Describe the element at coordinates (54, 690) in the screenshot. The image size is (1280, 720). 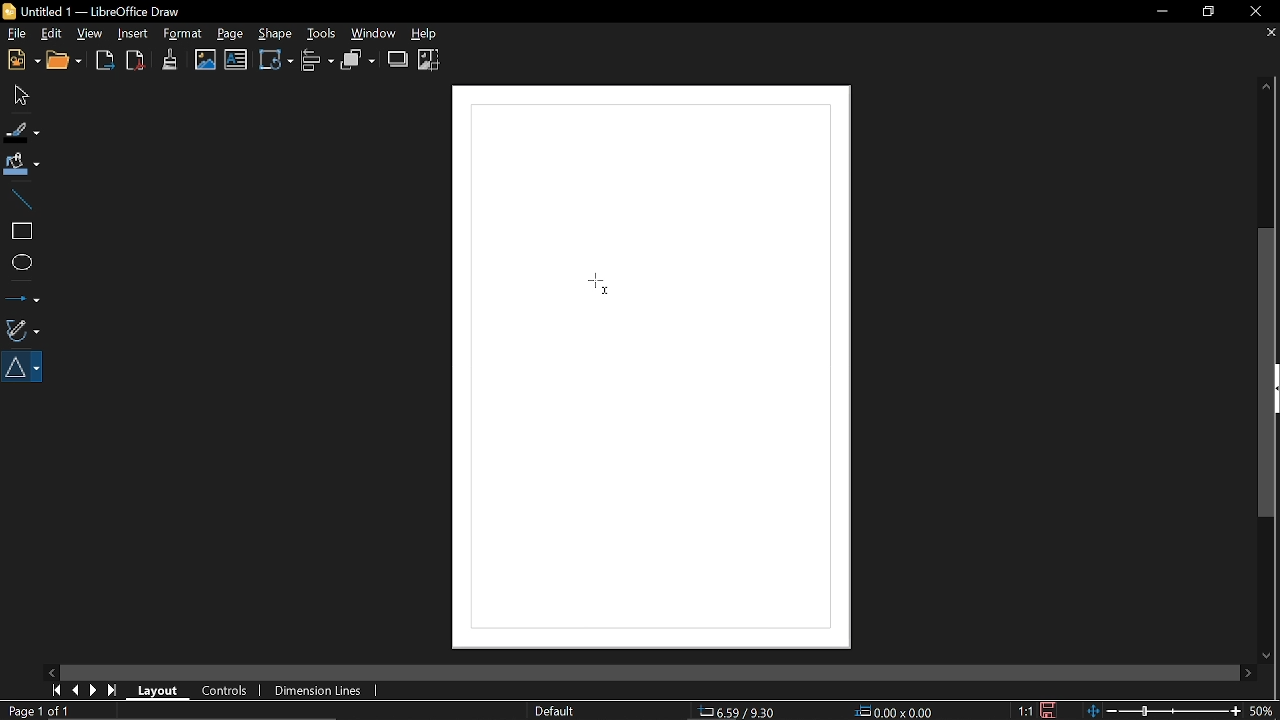
I see `First page` at that location.